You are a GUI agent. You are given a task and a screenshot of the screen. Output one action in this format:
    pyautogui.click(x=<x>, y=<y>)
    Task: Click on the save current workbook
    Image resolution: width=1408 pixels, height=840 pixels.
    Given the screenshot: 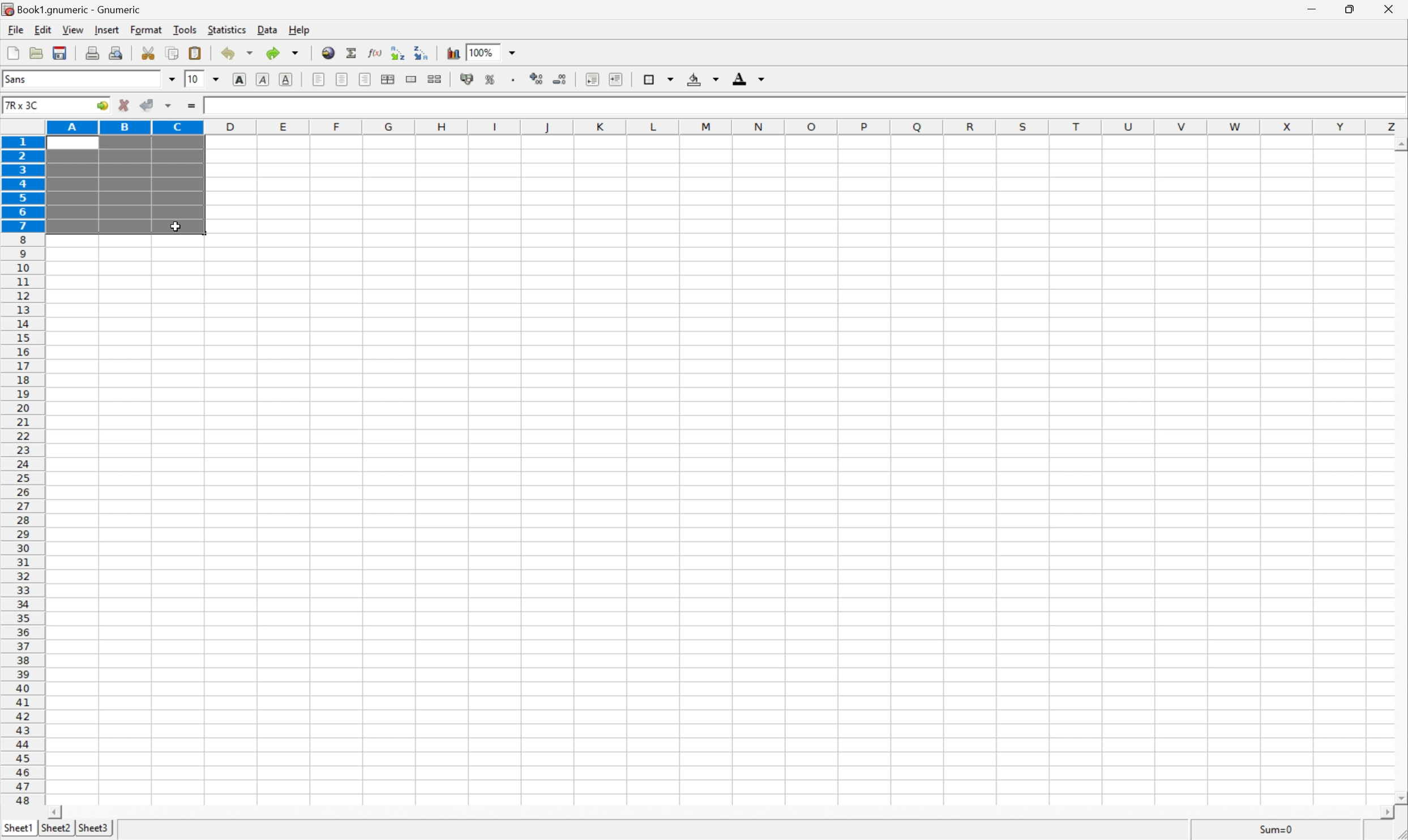 What is the action you would take?
    pyautogui.click(x=62, y=51)
    